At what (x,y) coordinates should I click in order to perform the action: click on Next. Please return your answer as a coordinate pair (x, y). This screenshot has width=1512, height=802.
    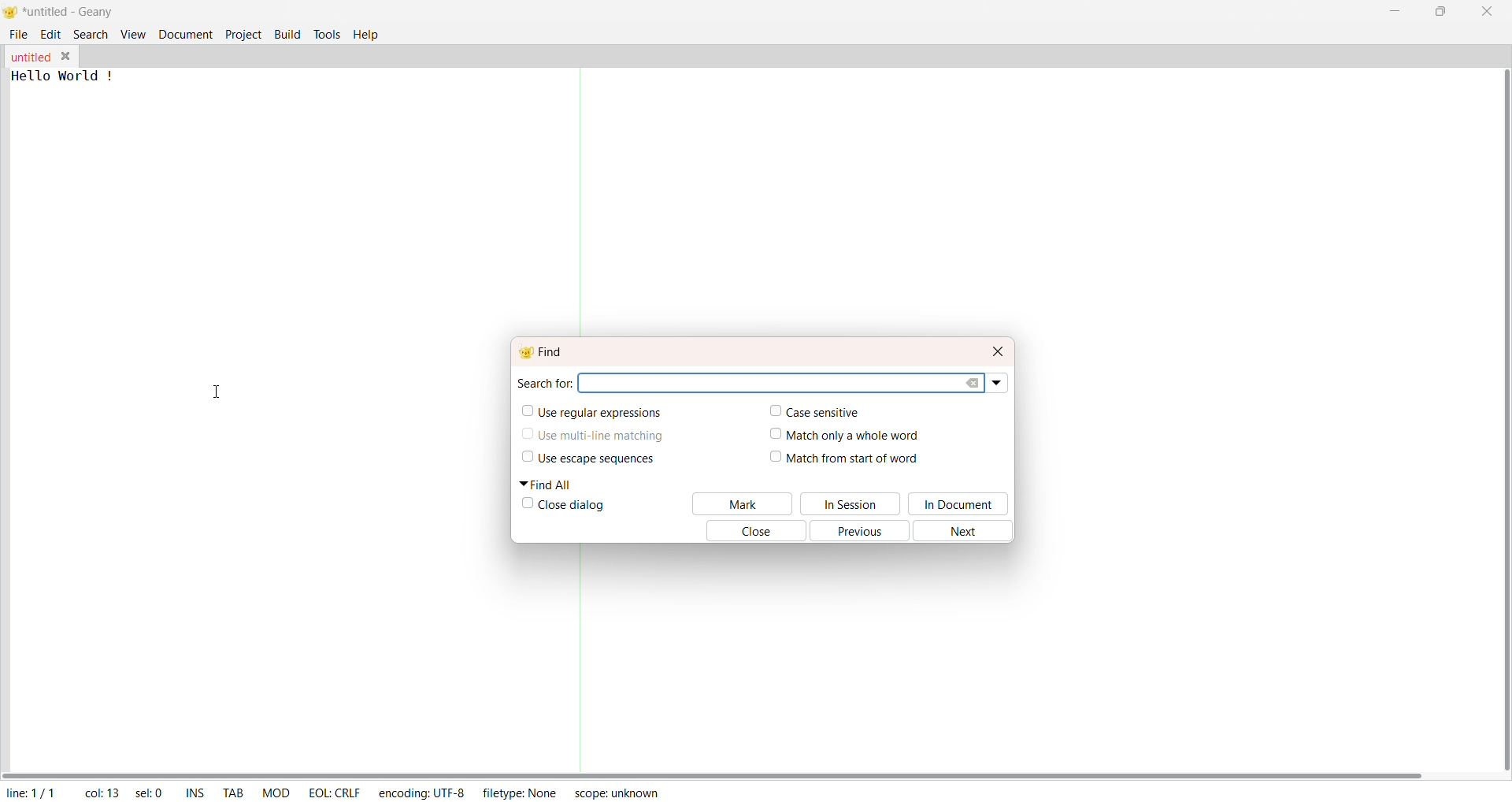
    Looking at the image, I should click on (968, 531).